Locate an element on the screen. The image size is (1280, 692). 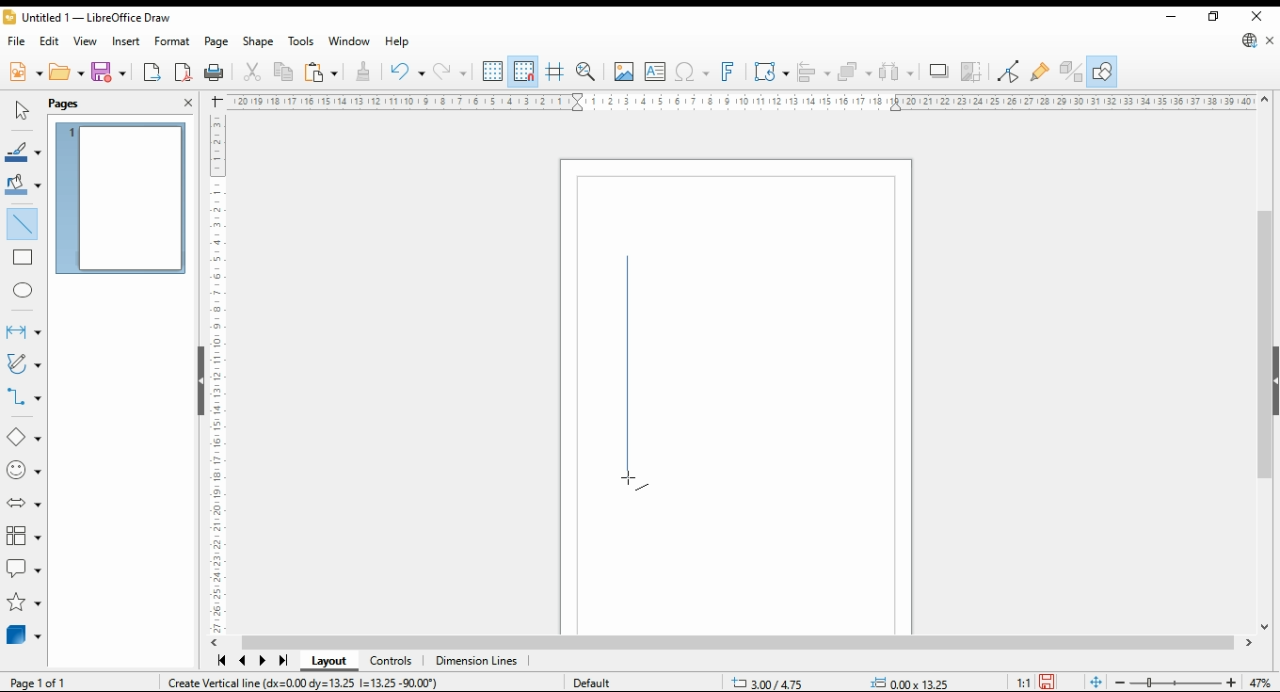
show gluepoint functions is located at coordinates (1040, 70).